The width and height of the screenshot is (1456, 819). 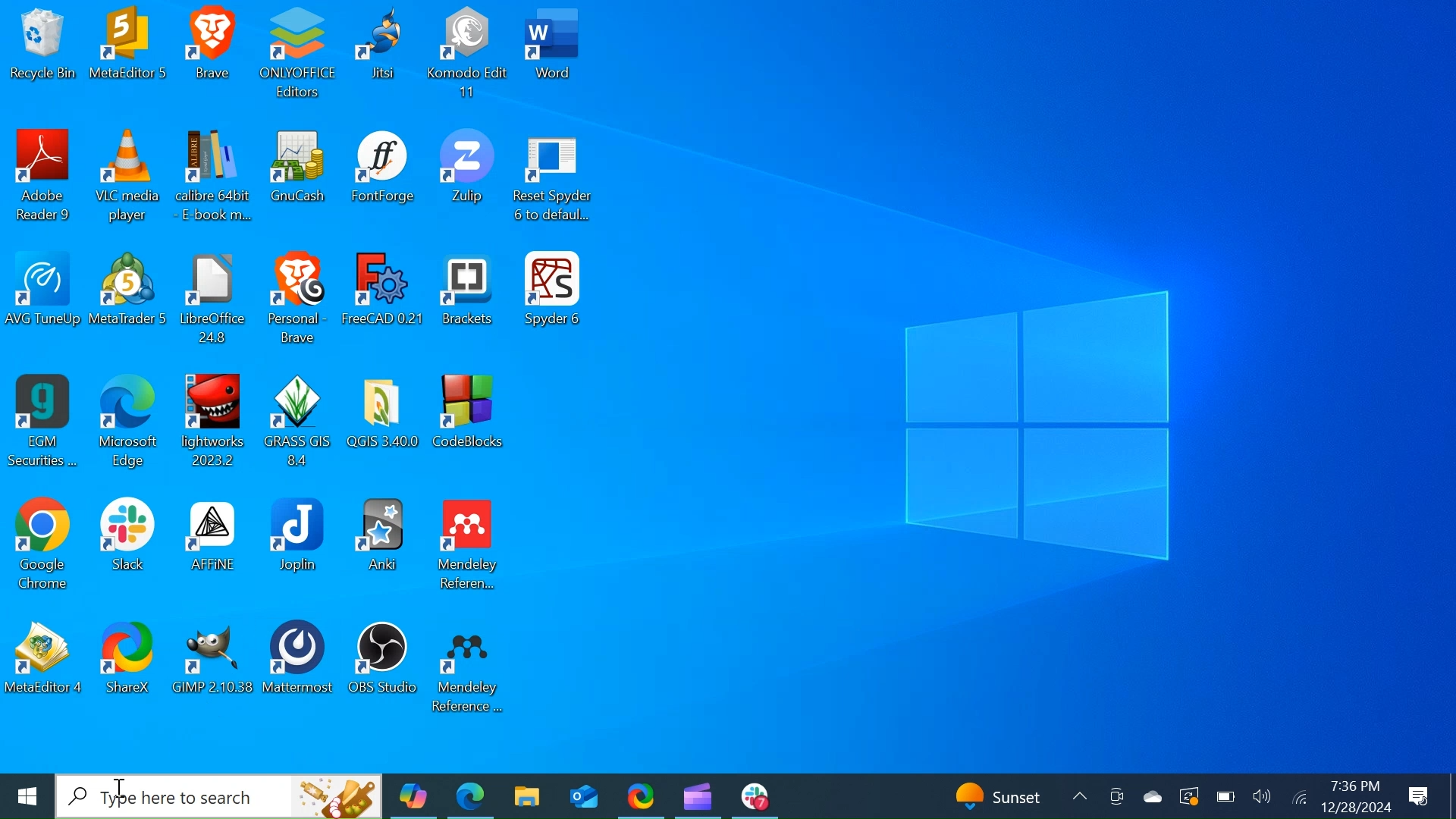 What do you see at coordinates (553, 181) in the screenshot?
I see `Reset Spyder to default Desktop Icon` at bounding box center [553, 181].